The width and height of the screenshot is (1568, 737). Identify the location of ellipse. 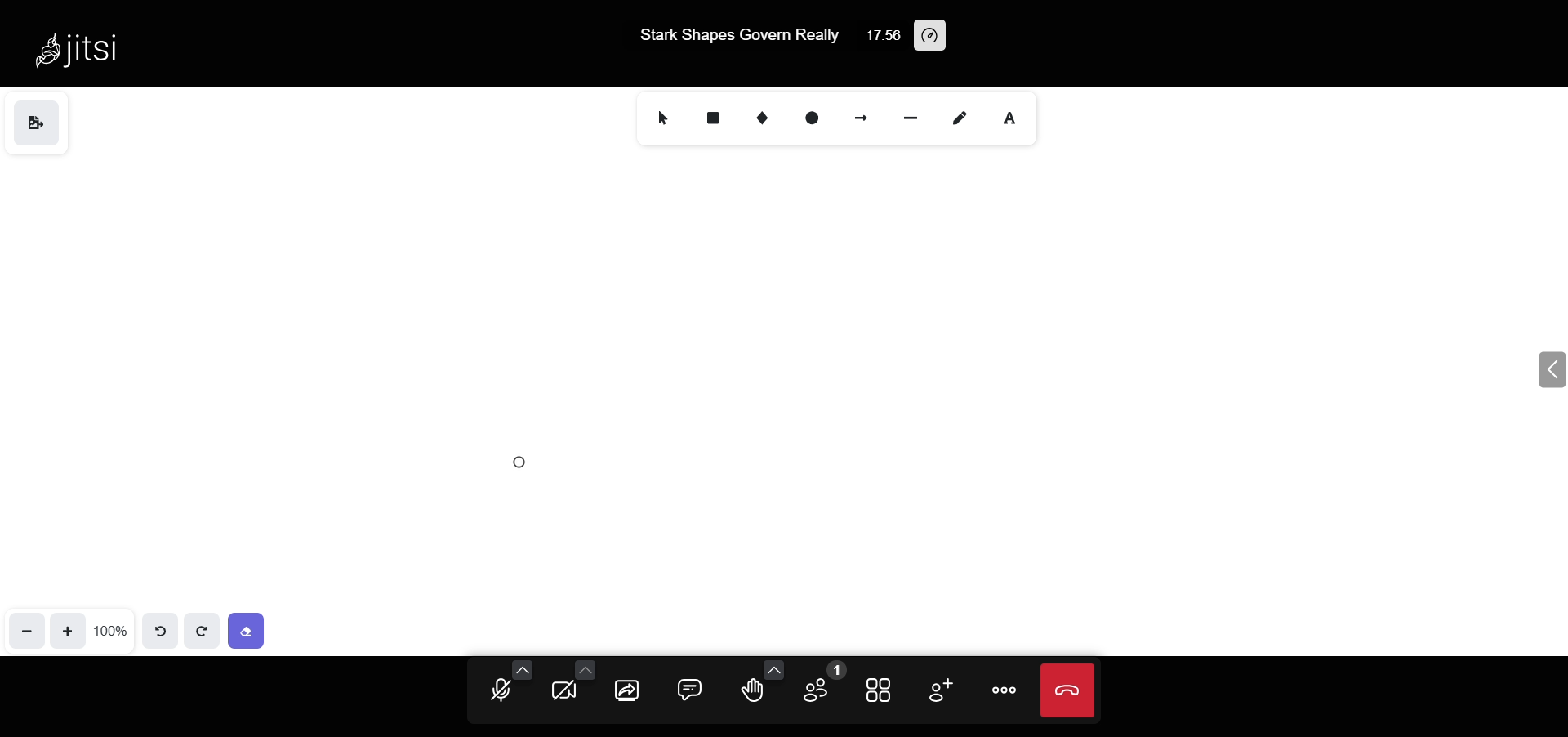
(810, 118).